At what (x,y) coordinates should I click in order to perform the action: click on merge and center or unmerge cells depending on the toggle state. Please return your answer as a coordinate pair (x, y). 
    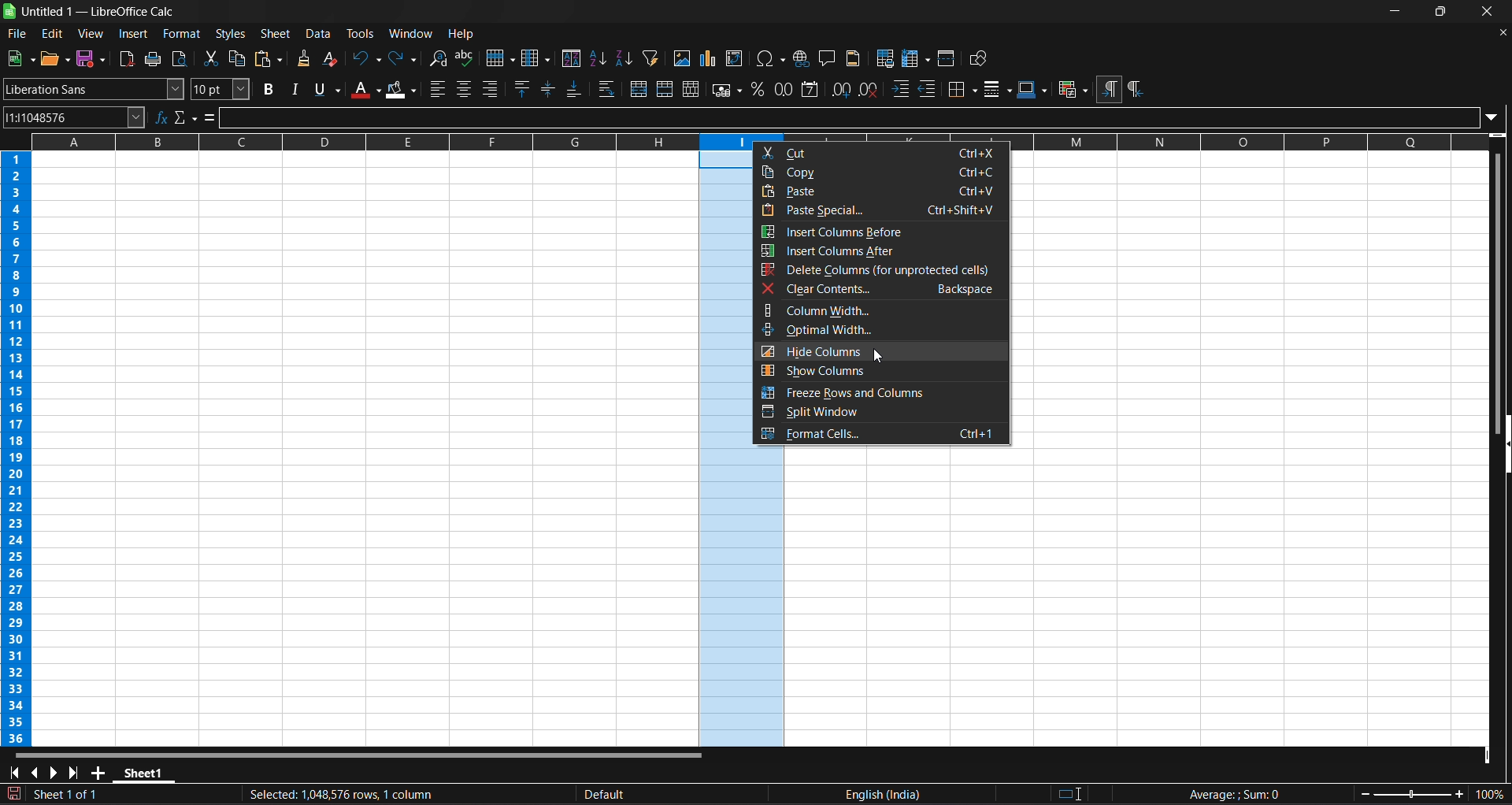
    Looking at the image, I should click on (641, 89).